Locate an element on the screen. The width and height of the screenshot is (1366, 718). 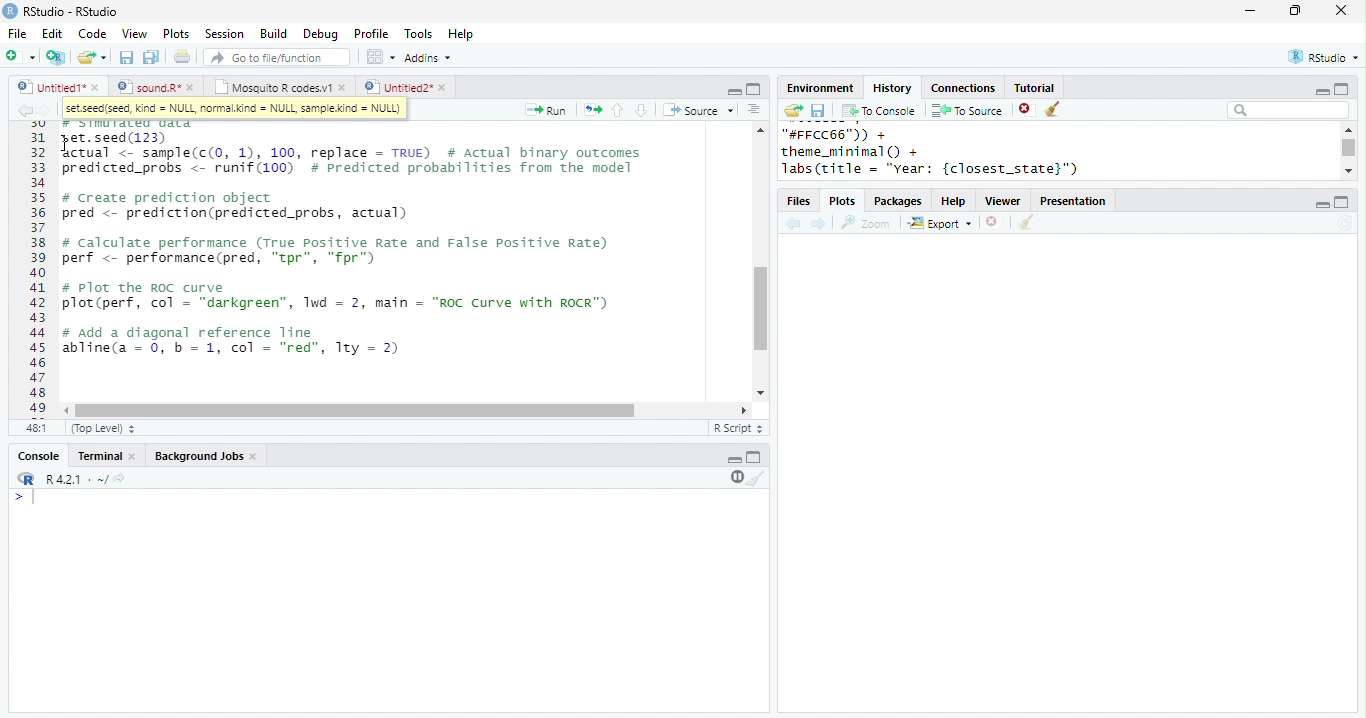
Untitled 2 is located at coordinates (397, 86).